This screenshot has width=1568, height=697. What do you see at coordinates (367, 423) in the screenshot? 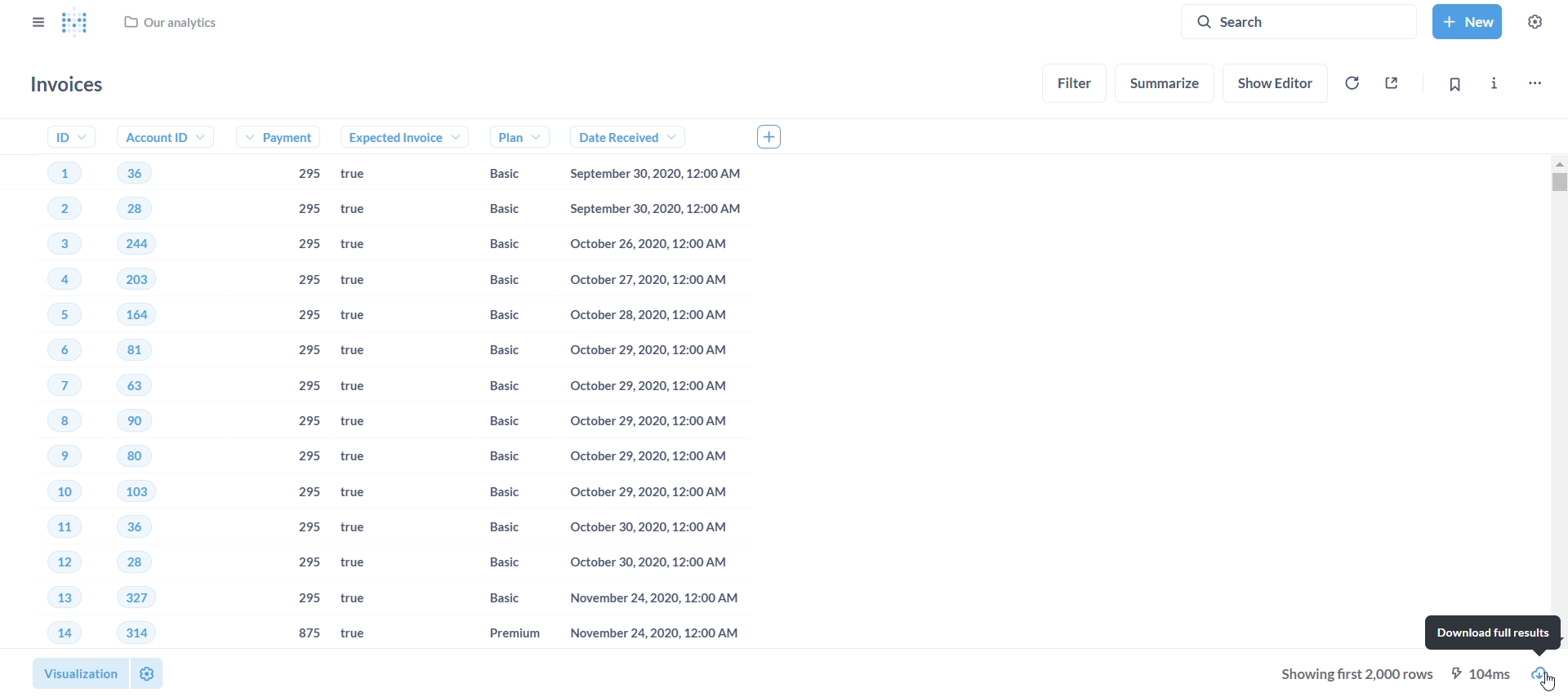
I see `true` at bounding box center [367, 423].